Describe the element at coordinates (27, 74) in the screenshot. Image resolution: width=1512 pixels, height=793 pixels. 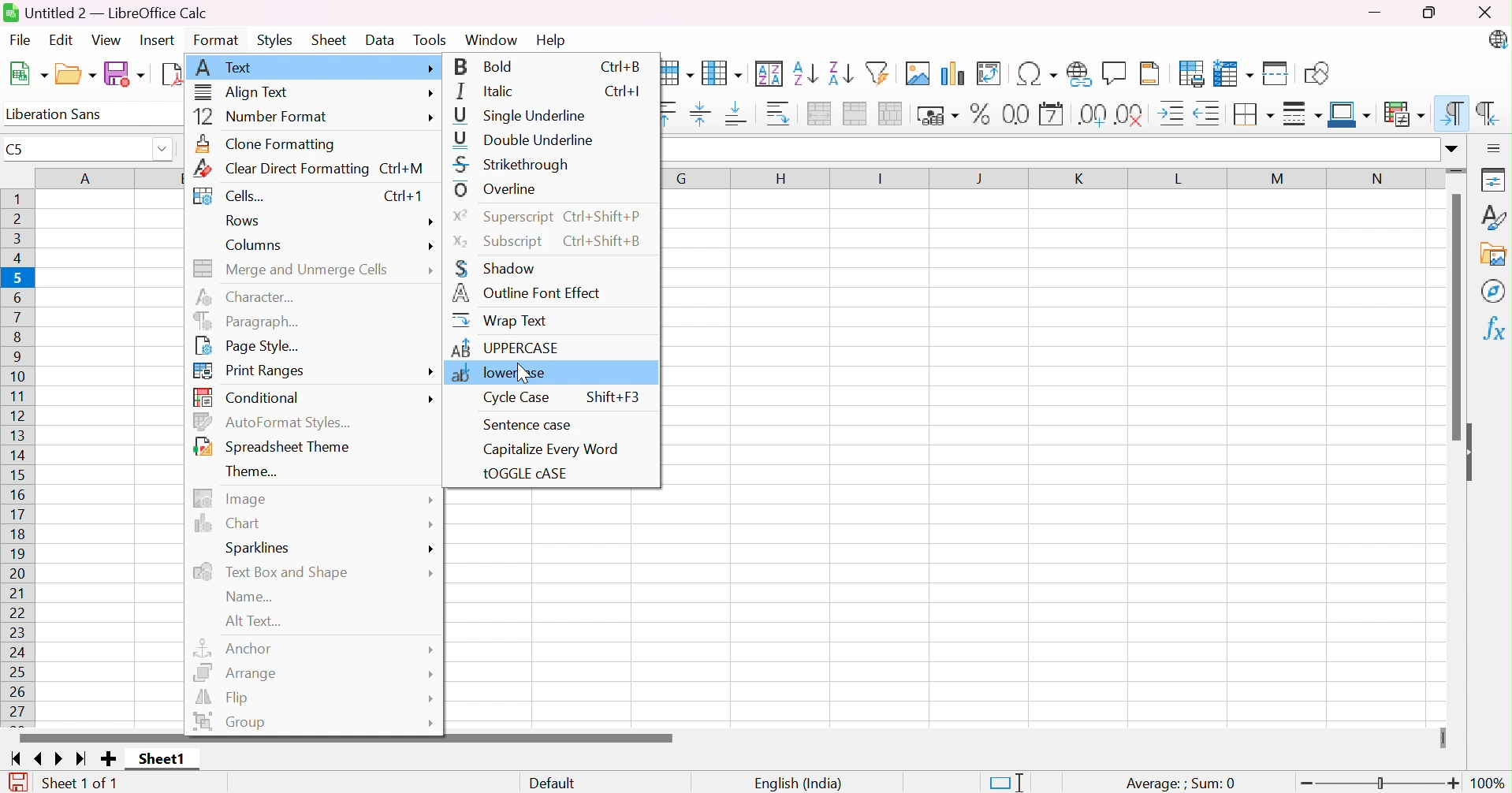
I see `New` at that location.